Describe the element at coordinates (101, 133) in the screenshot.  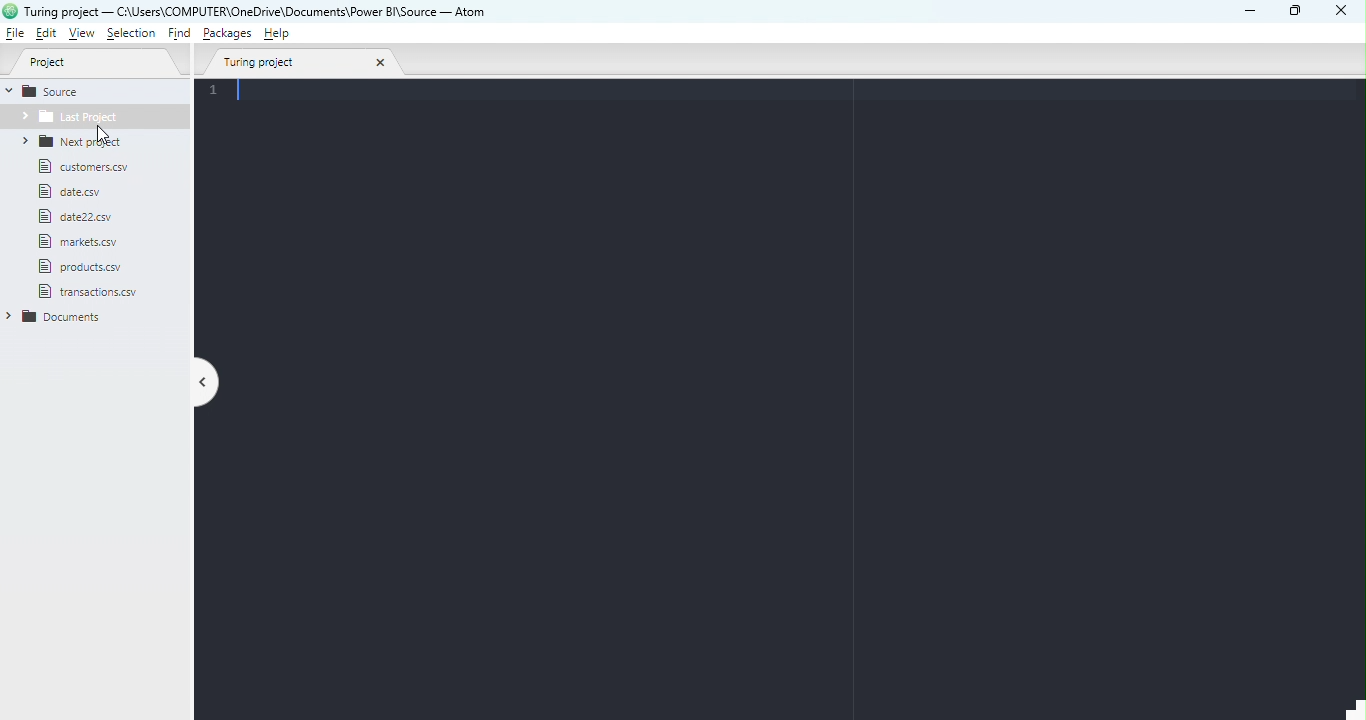
I see `cursor` at that location.